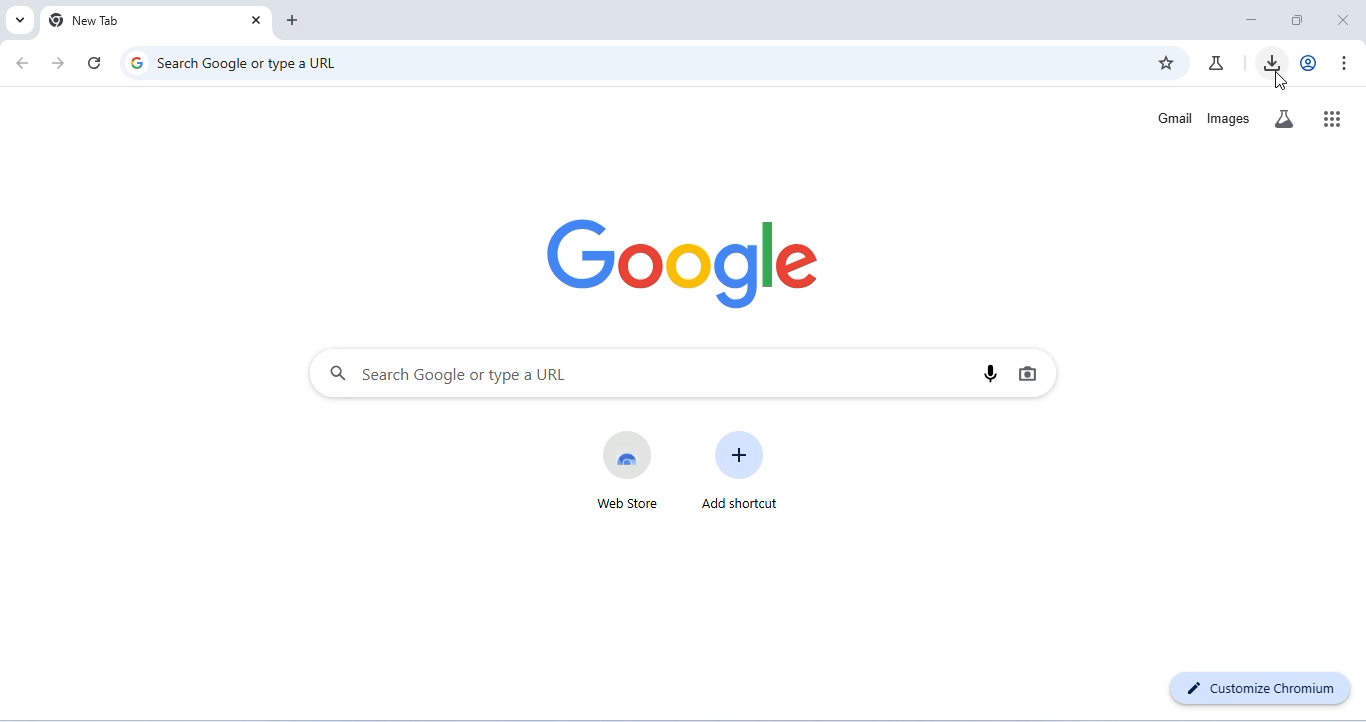 The image size is (1366, 722). I want to click on voice search, so click(988, 374).